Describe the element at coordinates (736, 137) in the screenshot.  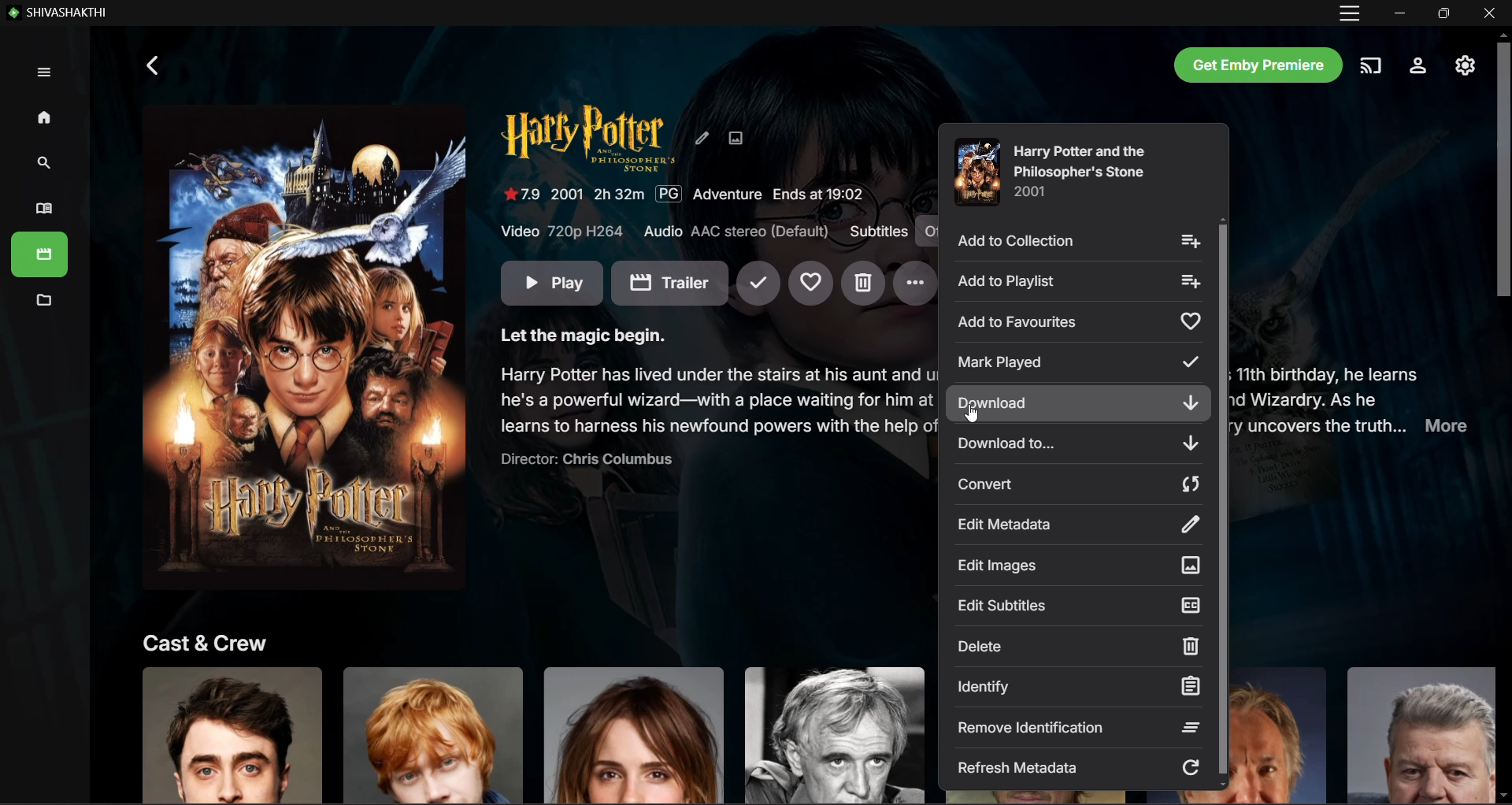
I see `Edit Image` at that location.